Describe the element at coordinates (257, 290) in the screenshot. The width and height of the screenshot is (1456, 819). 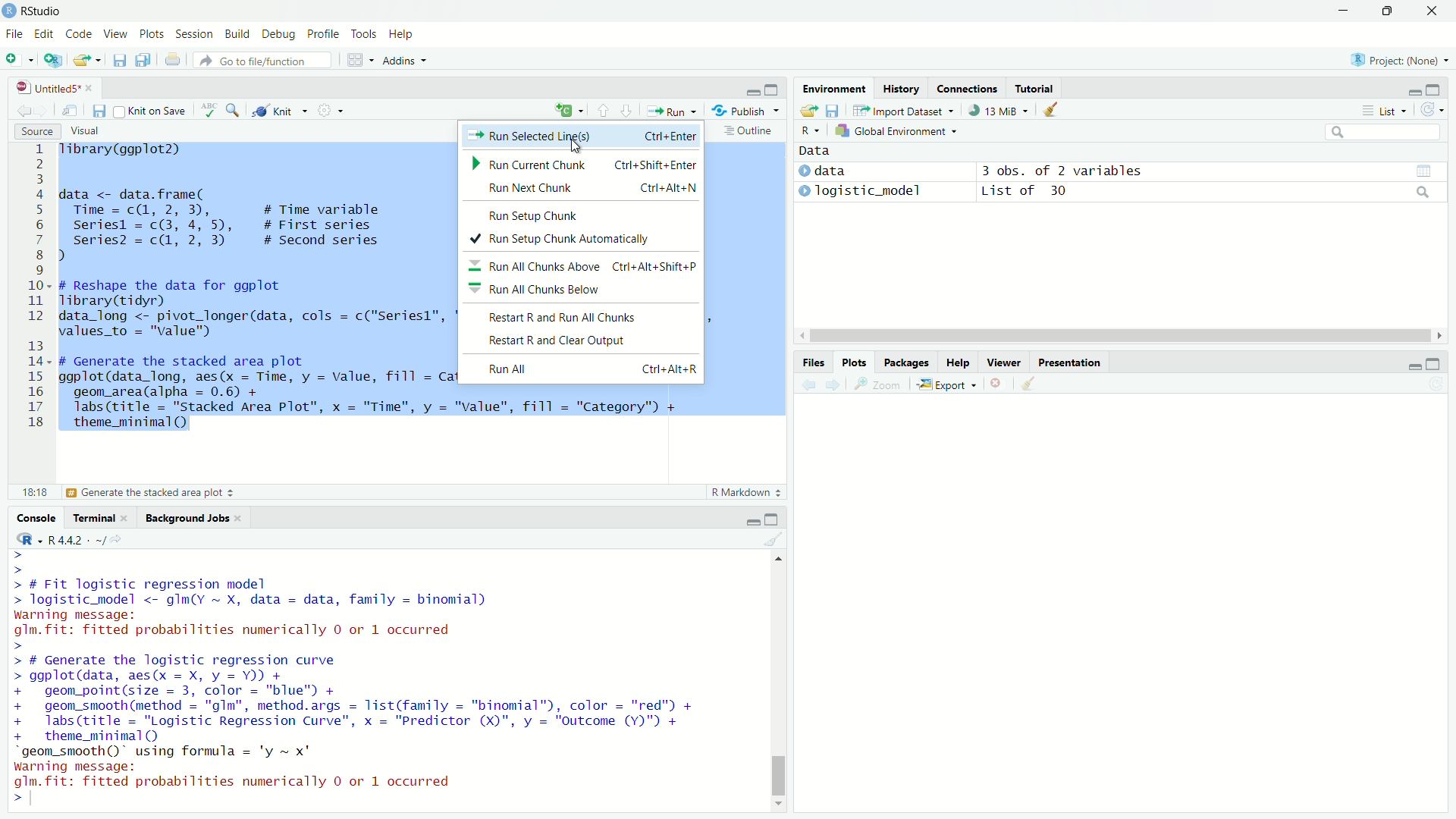
I see `Tibrary(ggplot2)
data <- data.frame(
Time = c(1, 2, 3), # Time variable
seriesl = c(3, 4, 5),  # First series| I
series? = c(1, 2, 3) # Second series
)
- # Reshape the data for ggplot
Tibrary(tidyr)
data_long <- pivot_longer(data, cols = c("Seriesl", "Series2"), names_to = "Category",
values_to = "value")
 # Generate the stacked area plot
ggplot(data_long, aes(x = Time, y = Value, fill = Category)) +
geom_area(alpha = 0.6) +
labs (title = "Stacked Area Plot", x = "Time", y = "value", fill = "Category") +
theme_minimal()` at that location.